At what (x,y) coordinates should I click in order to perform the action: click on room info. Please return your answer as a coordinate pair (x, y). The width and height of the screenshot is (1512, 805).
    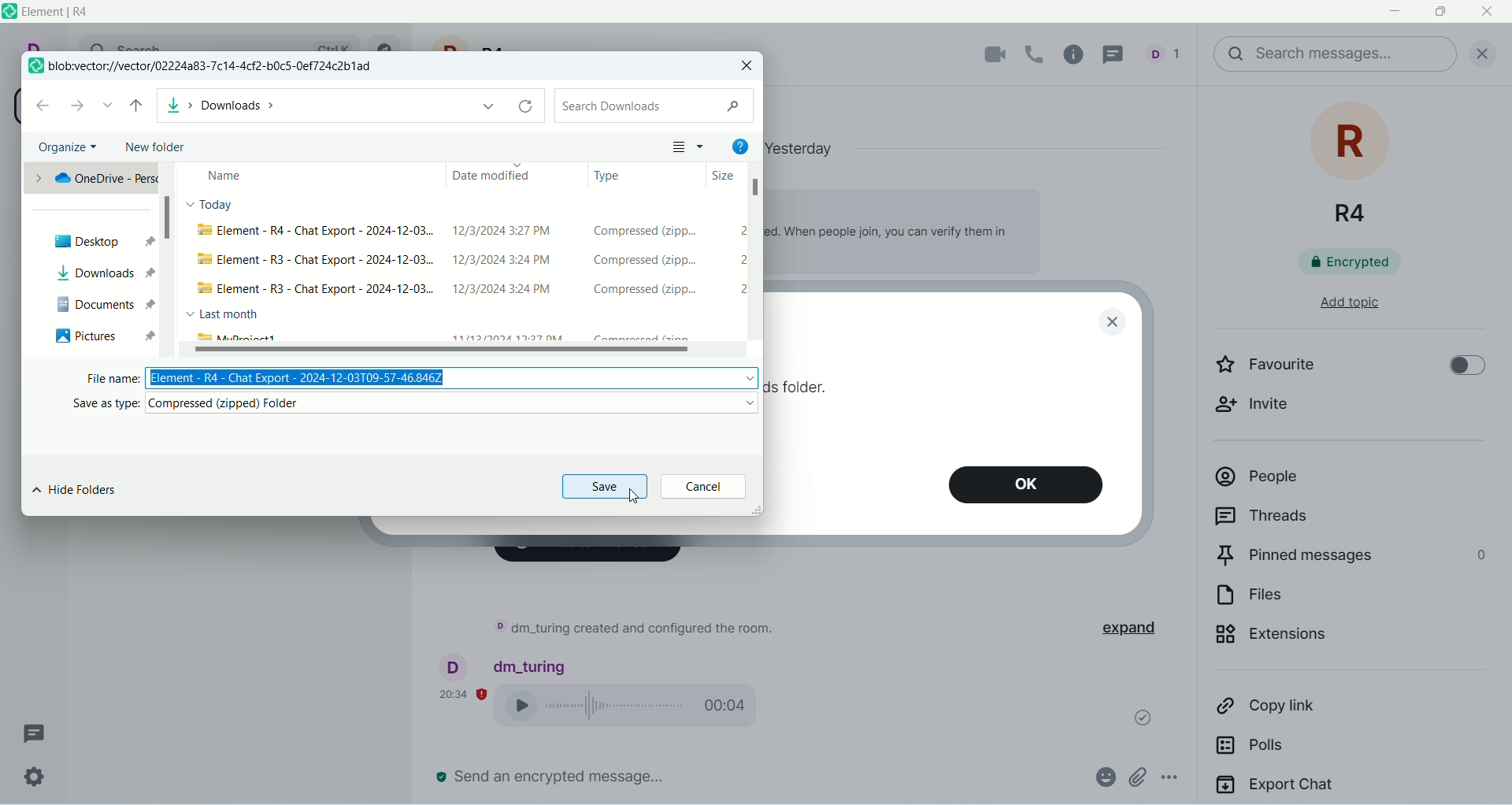
    Looking at the image, I should click on (1078, 54).